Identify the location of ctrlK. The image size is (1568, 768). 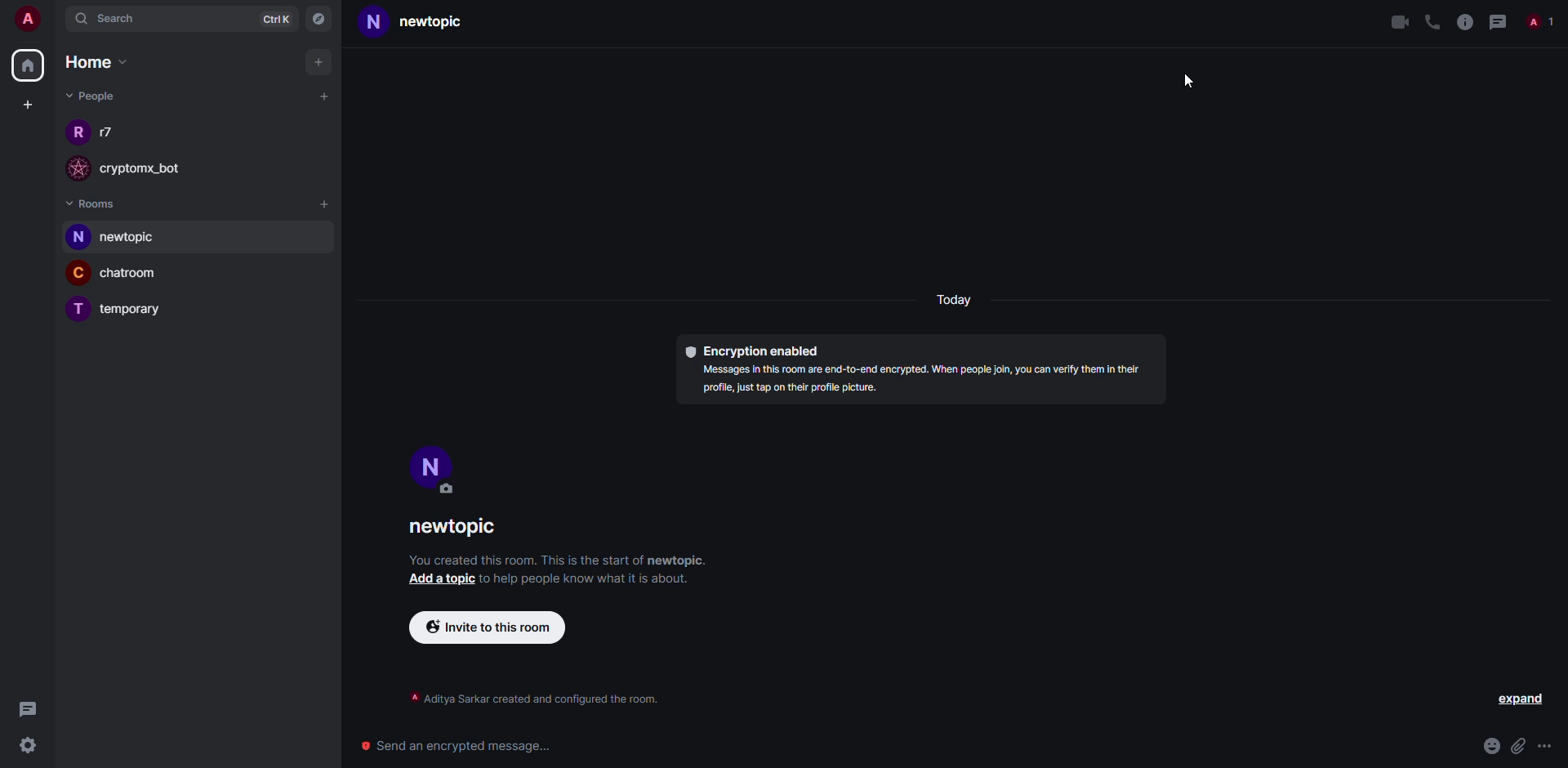
(268, 19).